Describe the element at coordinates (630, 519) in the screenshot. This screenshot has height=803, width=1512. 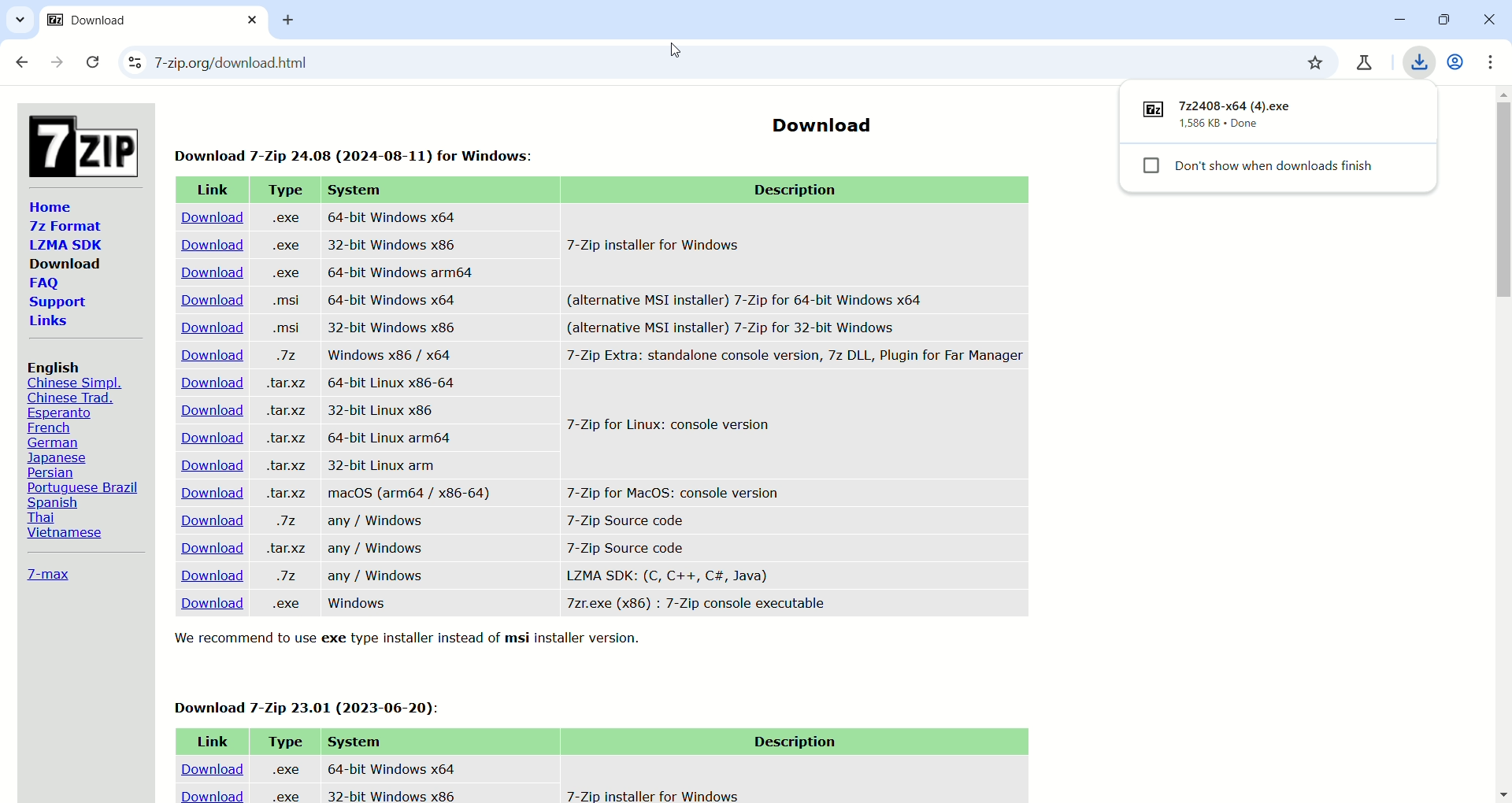
I see `7-Zip Source code` at that location.